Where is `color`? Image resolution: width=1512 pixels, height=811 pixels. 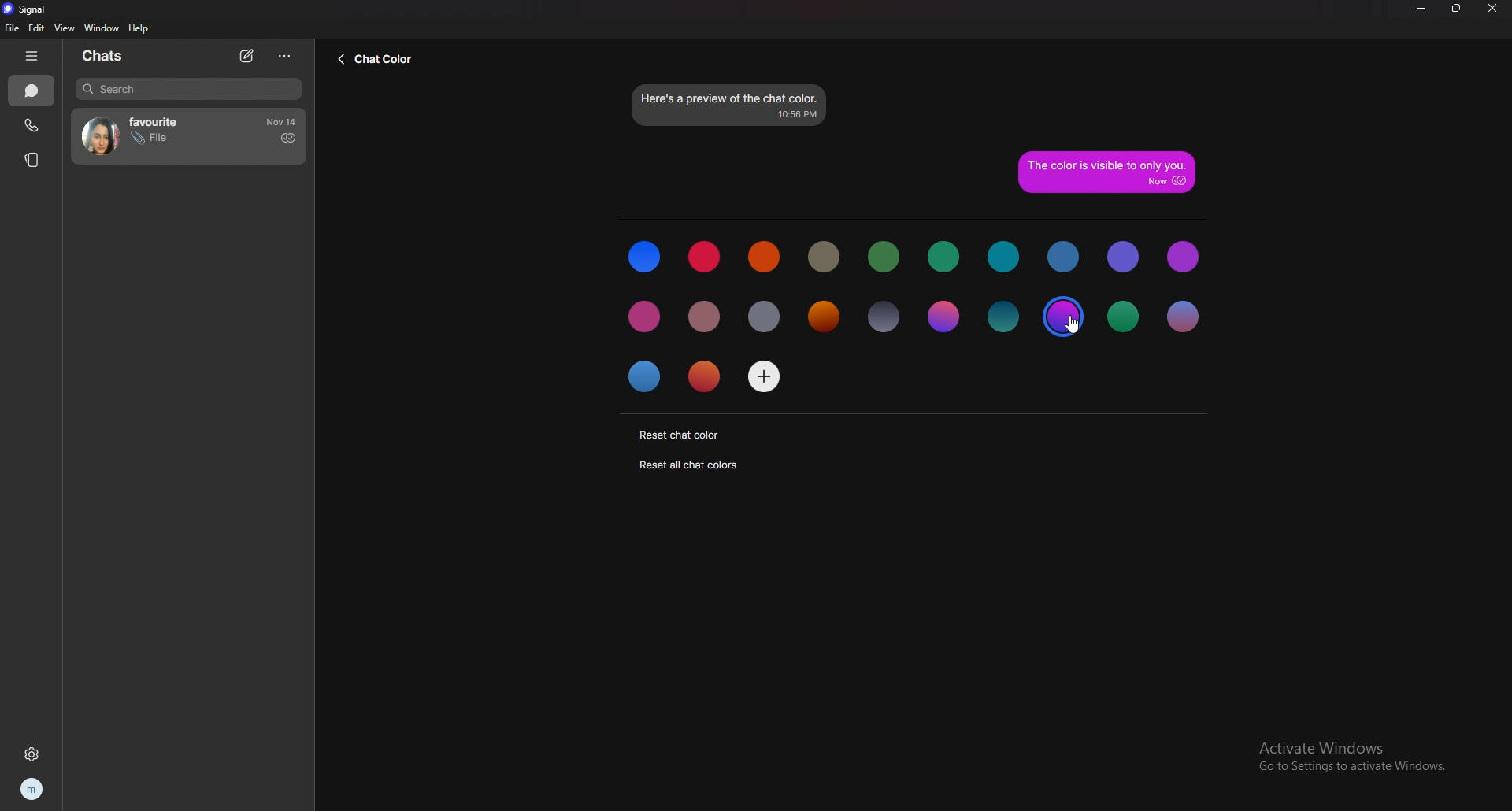 color is located at coordinates (821, 319).